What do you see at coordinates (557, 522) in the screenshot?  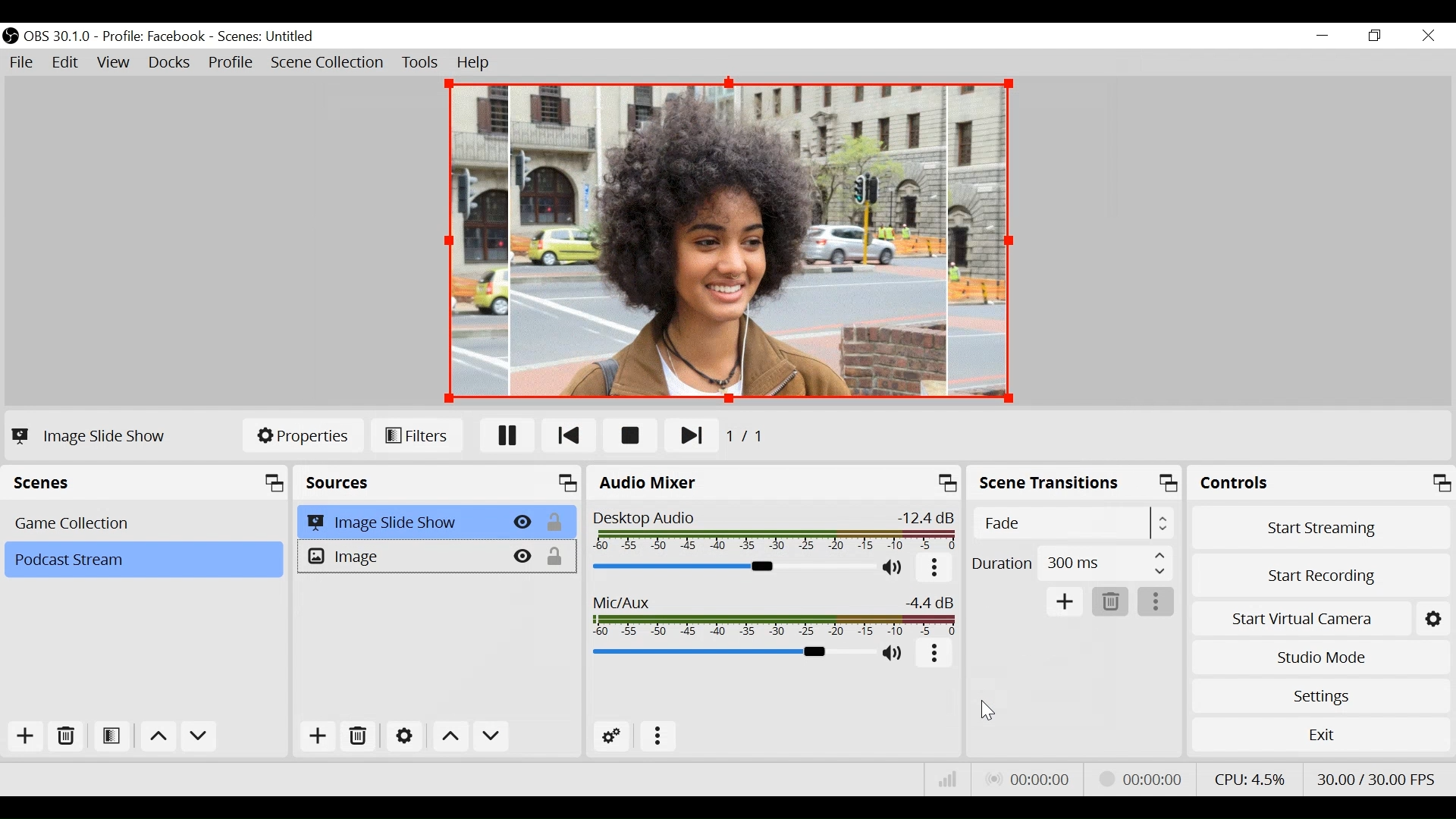 I see `(un)lock` at bounding box center [557, 522].